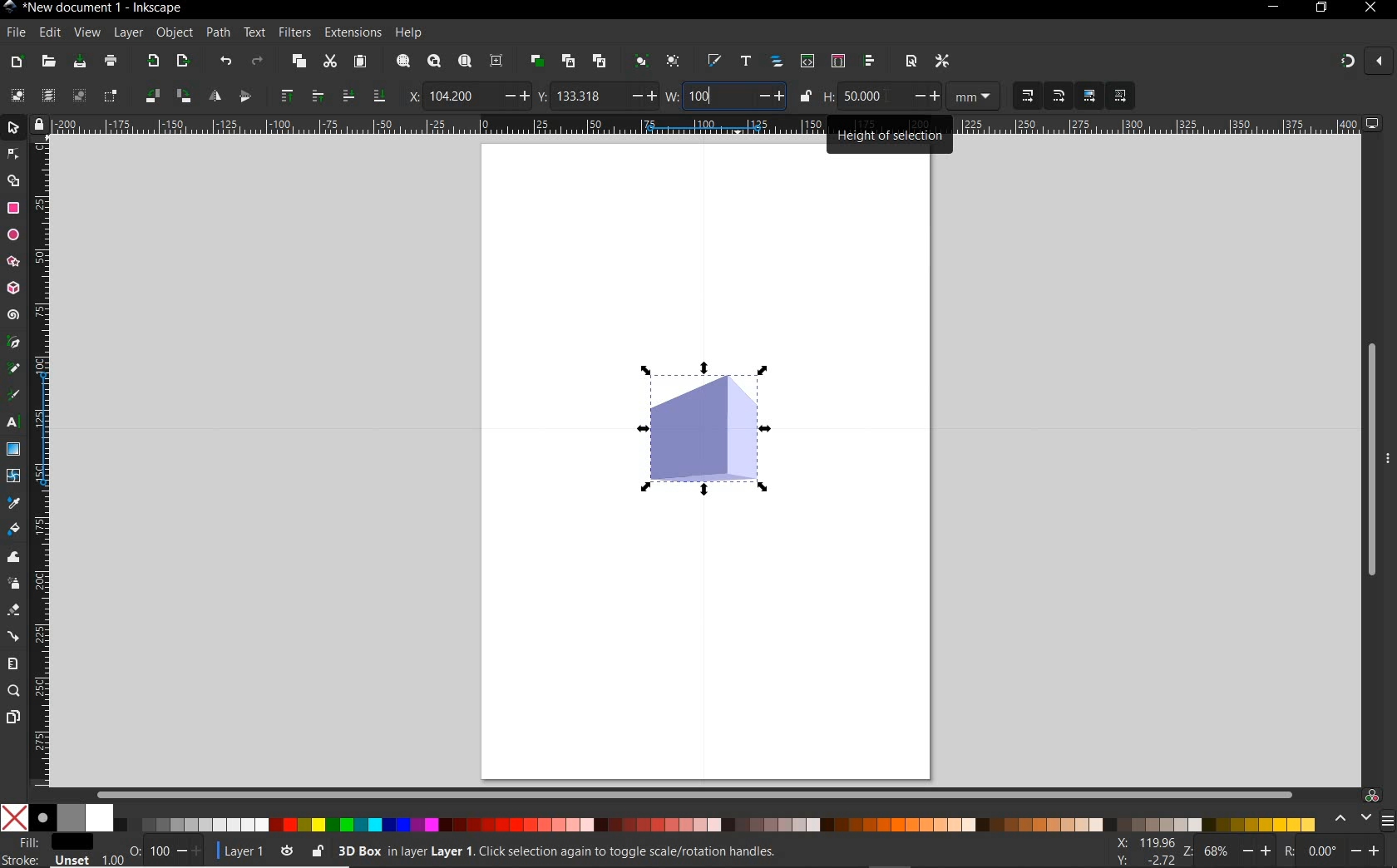  What do you see at coordinates (975, 97) in the screenshot?
I see `measurement` at bounding box center [975, 97].